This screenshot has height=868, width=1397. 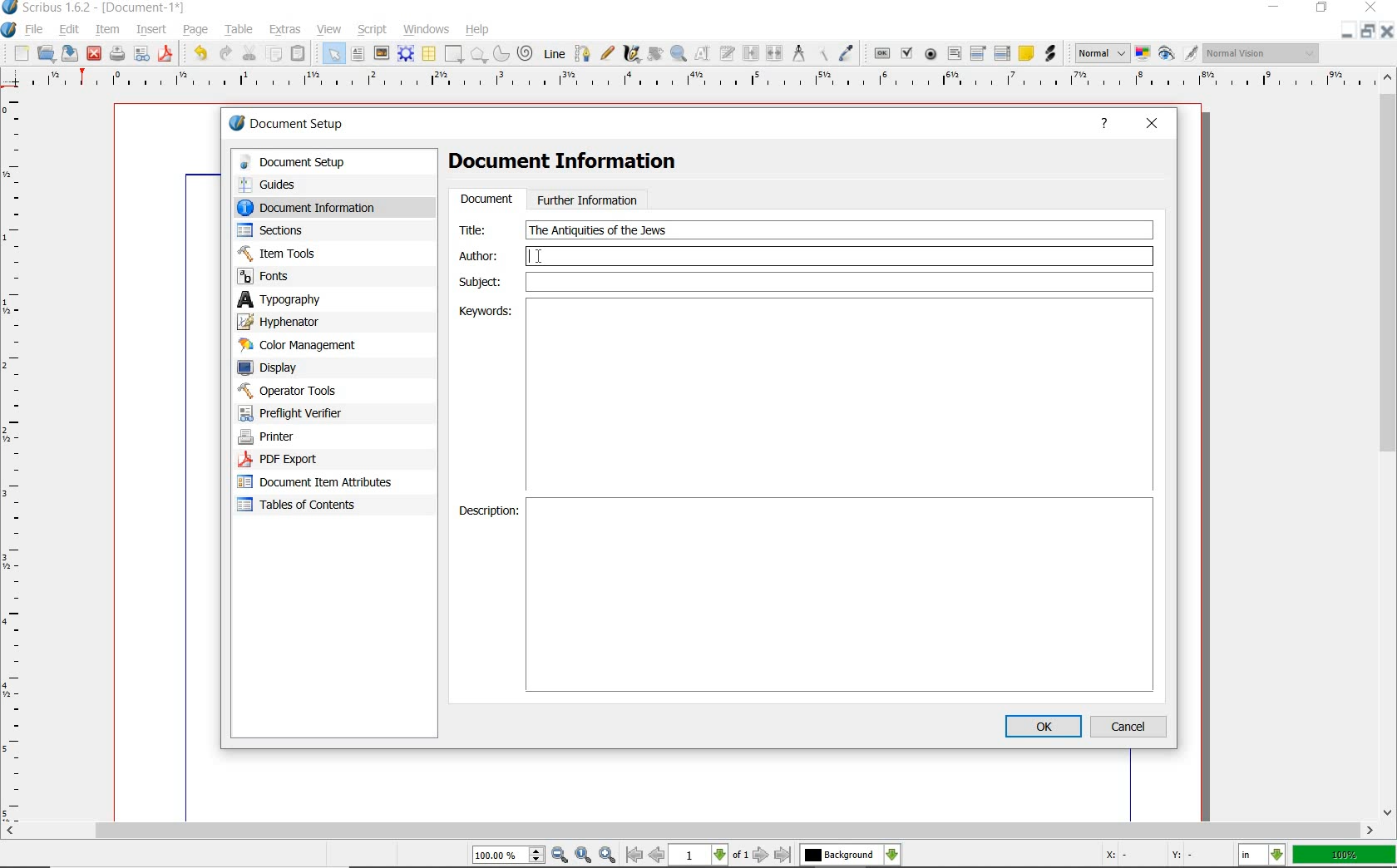 I want to click on table, so click(x=239, y=29).